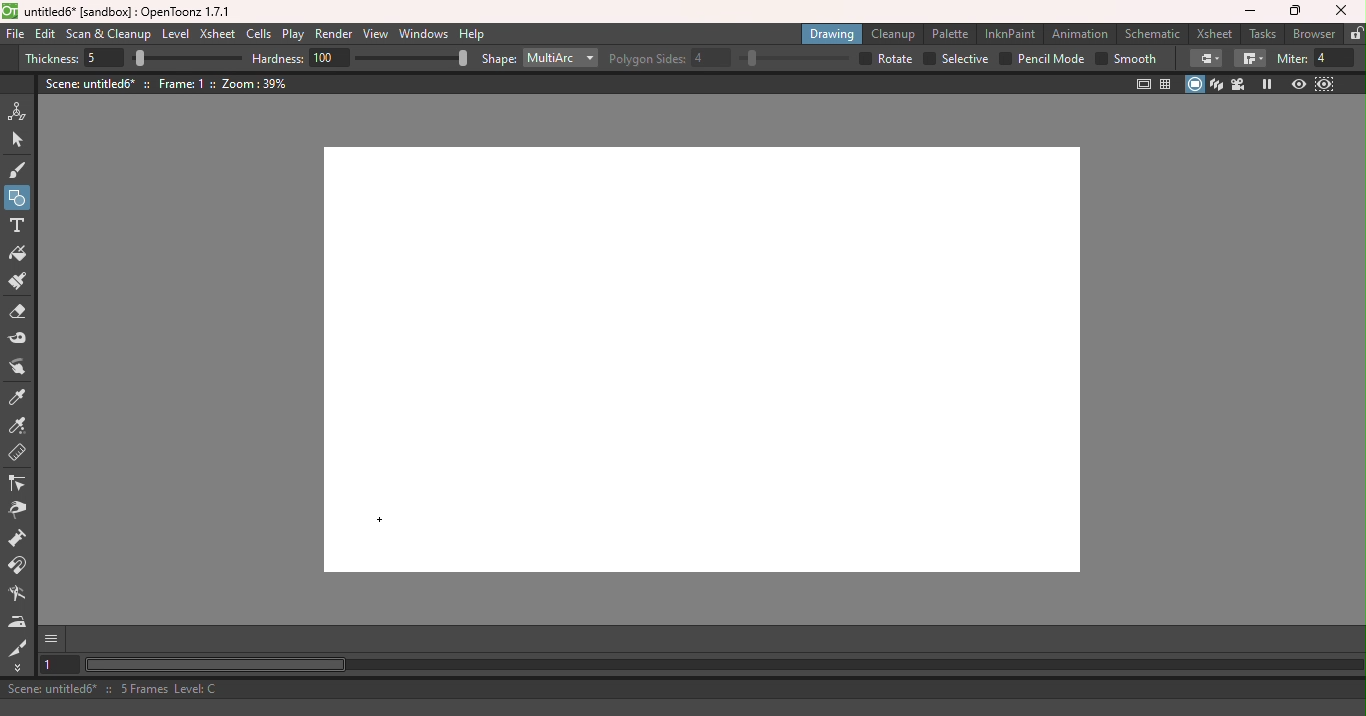  Describe the element at coordinates (561, 59) in the screenshot. I see `Multiarc` at that location.